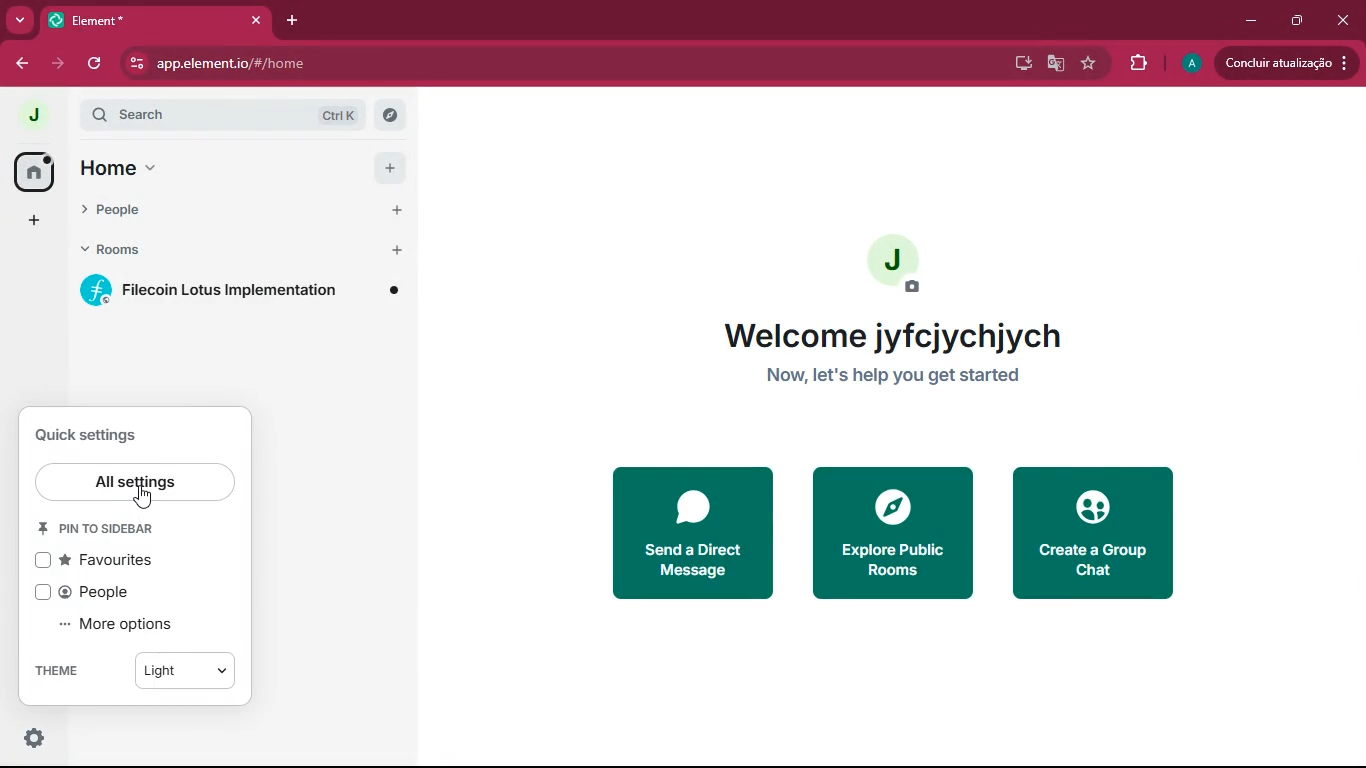  What do you see at coordinates (1100, 534) in the screenshot?
I see `create a group chat` at bounding box center [1100, 534].